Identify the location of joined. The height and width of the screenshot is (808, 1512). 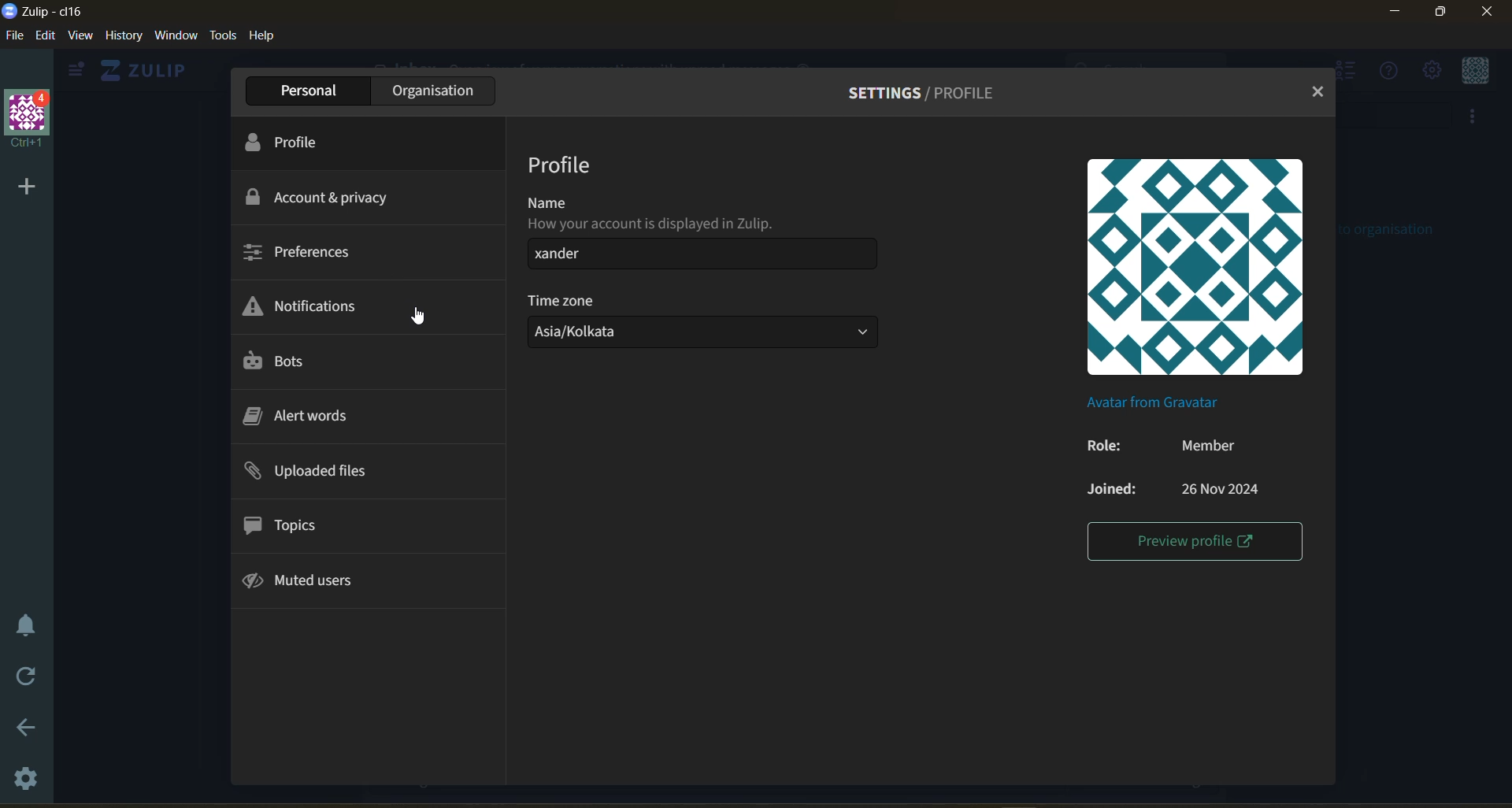
(1172, 487).